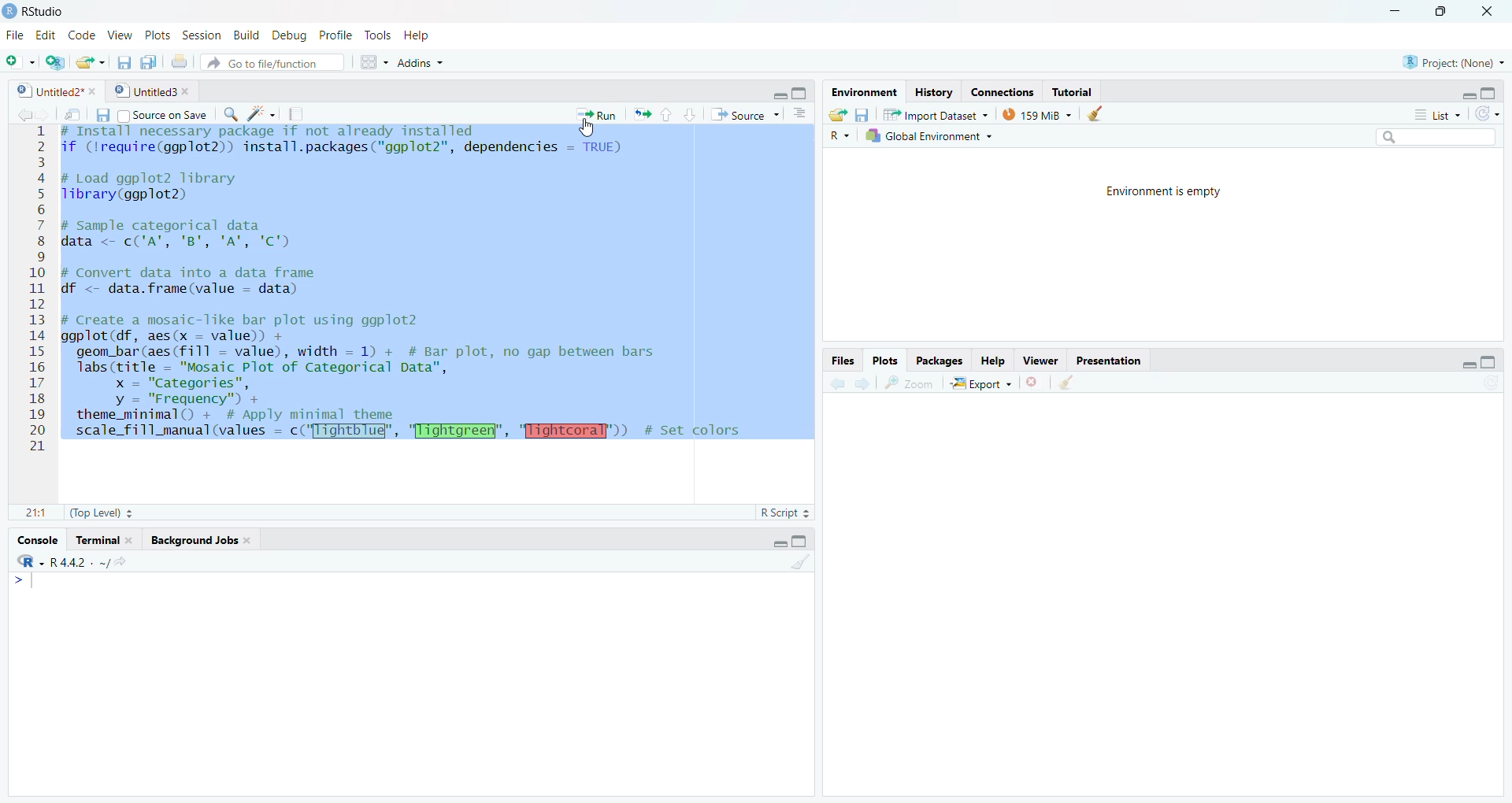 The image size is (1512, 803). What do you see at coordinates (261, 115) in the screenshot?
I see `Code Tools` at bounding box center [261, 115].